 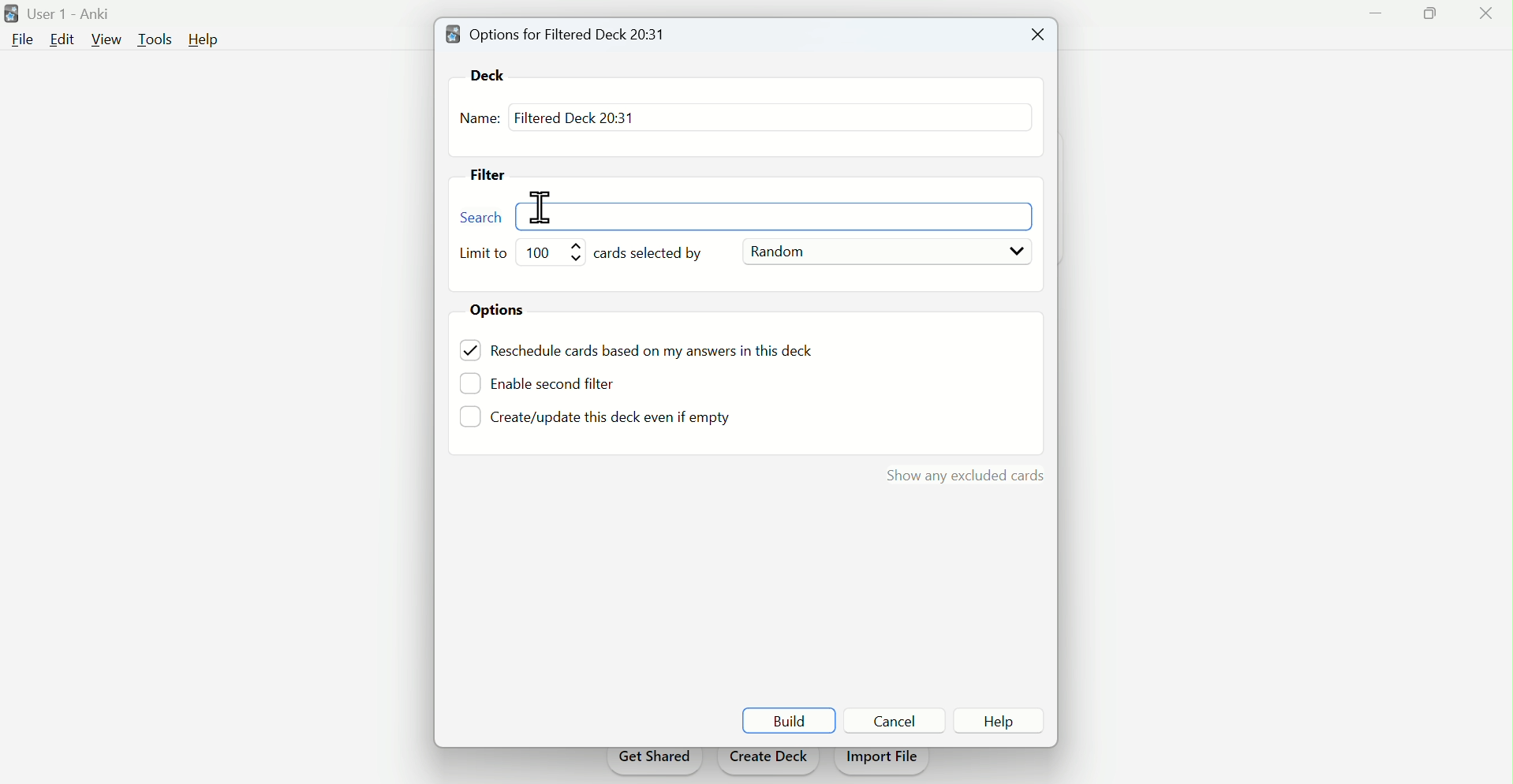 What do you see at coordinates (564, 382) in the screenshot?
I see ` Enable second Filter` at bounding box center [564, 382].